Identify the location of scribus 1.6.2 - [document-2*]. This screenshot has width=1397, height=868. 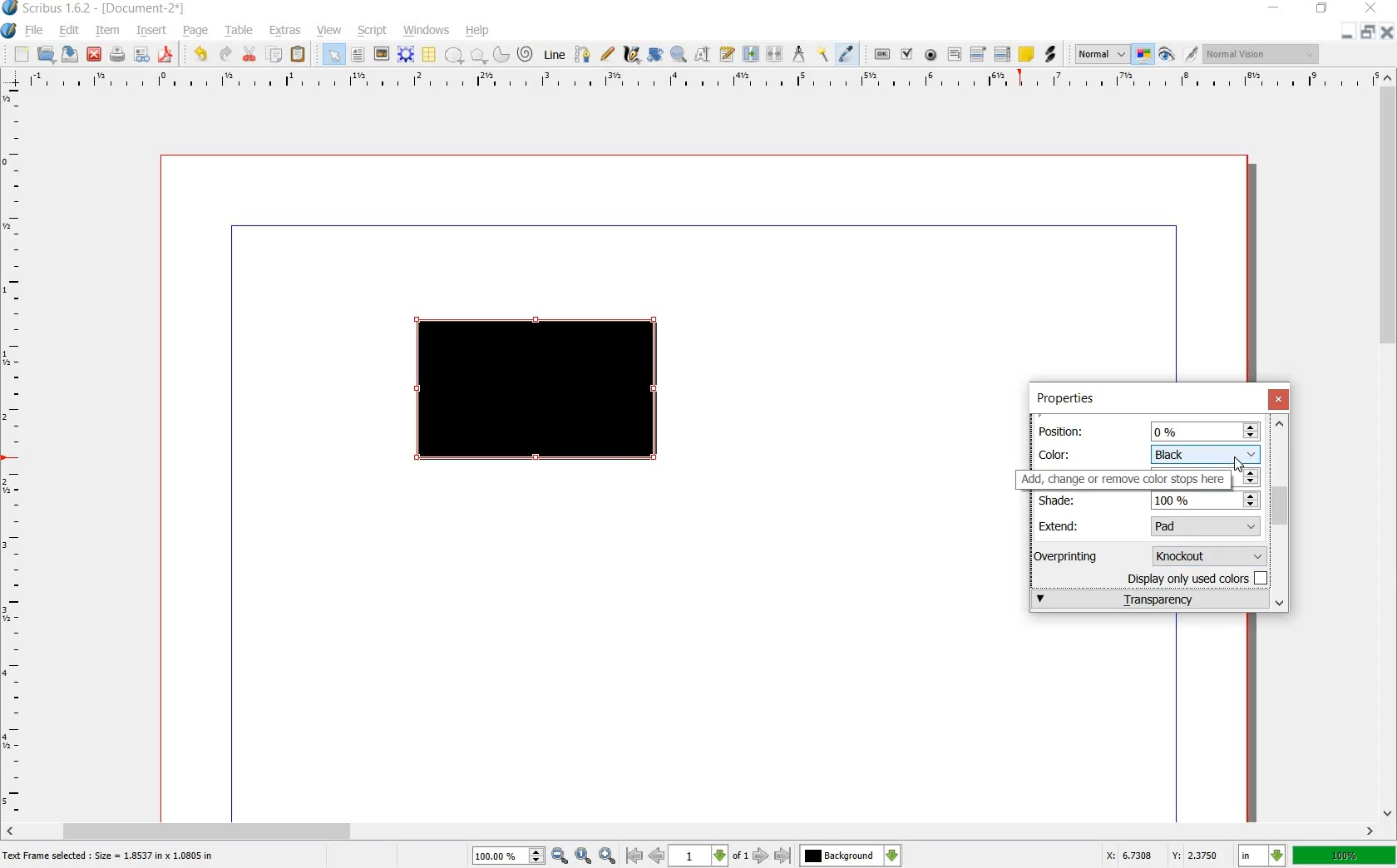
(110, 9).